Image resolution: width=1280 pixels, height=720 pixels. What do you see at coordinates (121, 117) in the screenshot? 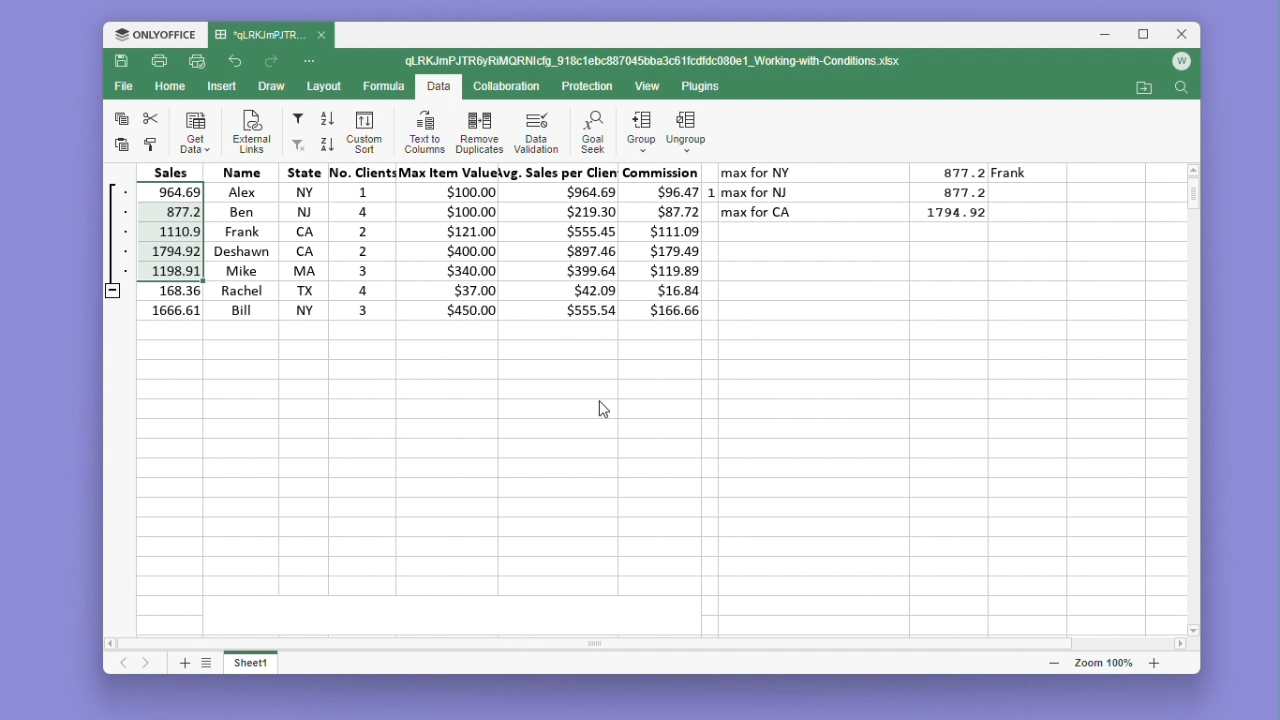
I see `copy` at bounding box center [121, 117].